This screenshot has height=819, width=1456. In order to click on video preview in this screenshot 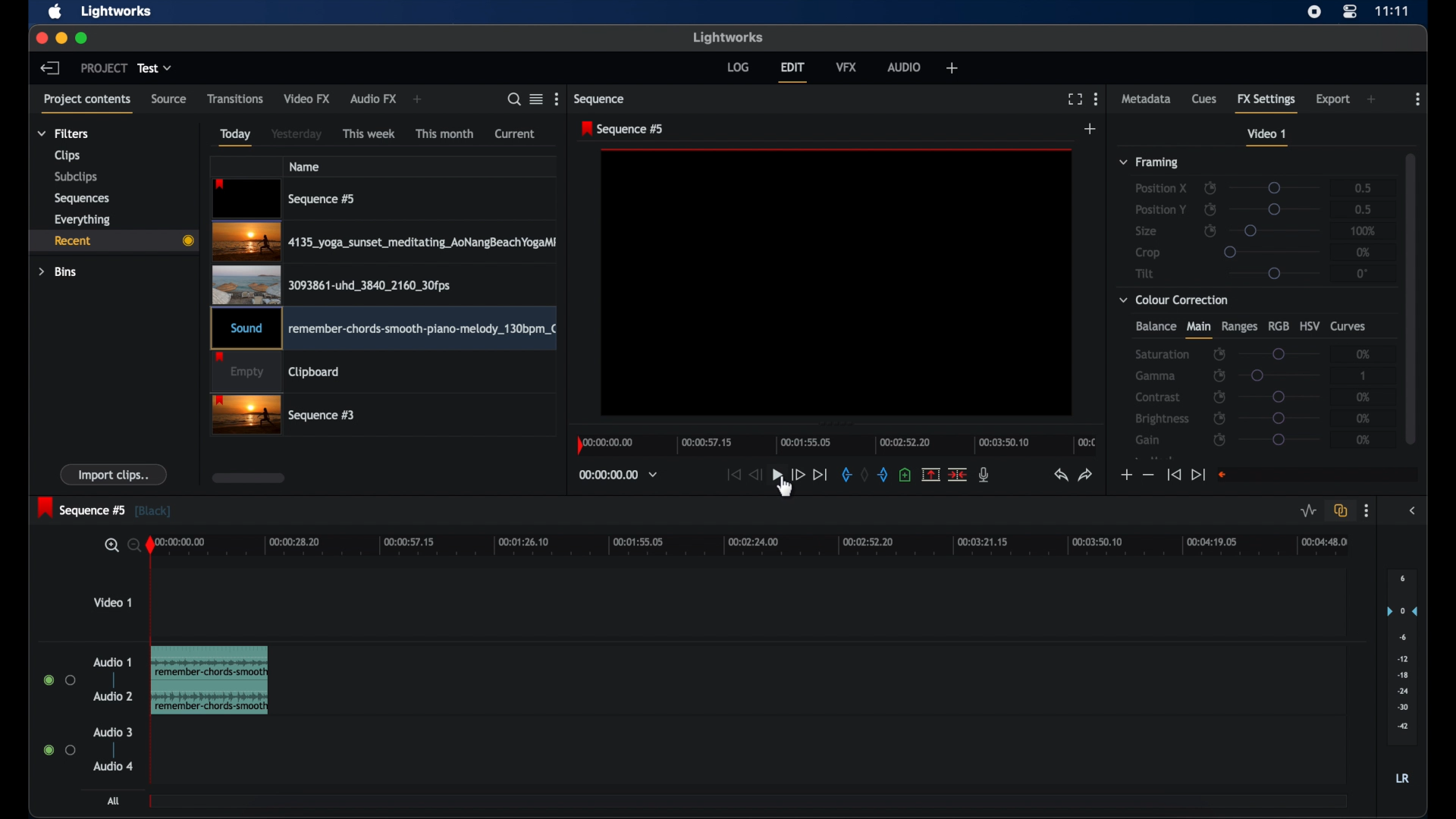, I will do `click(837, 284)`.